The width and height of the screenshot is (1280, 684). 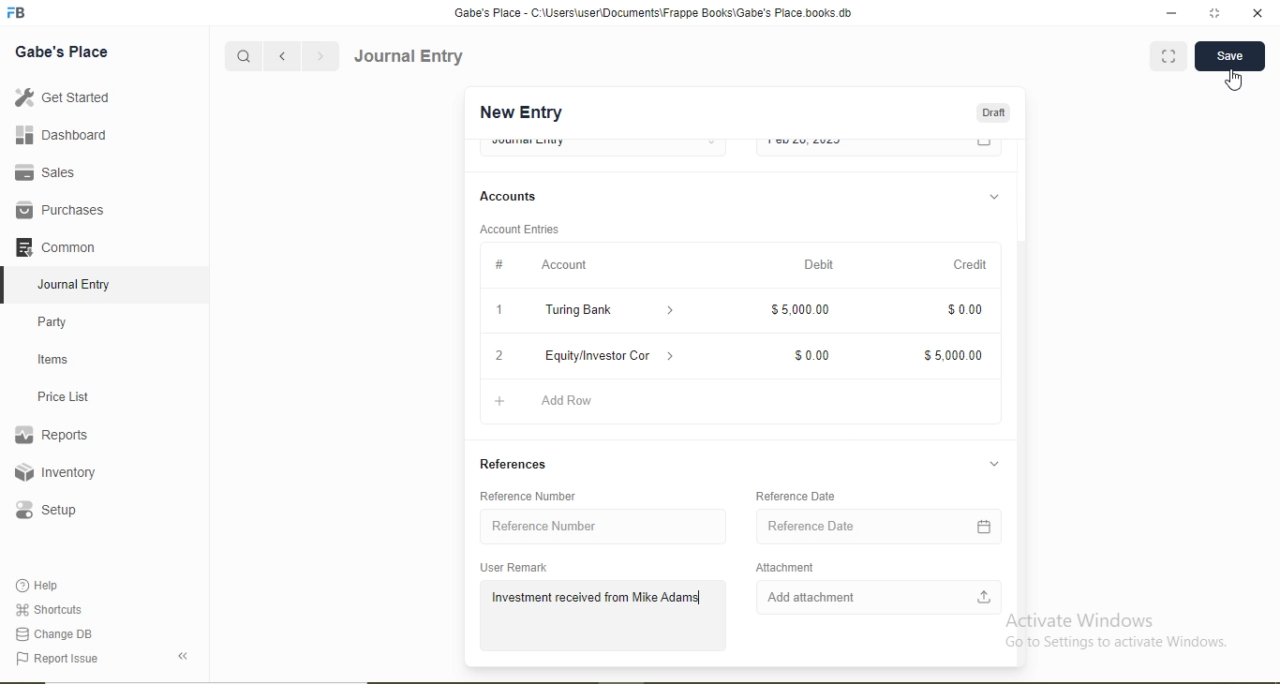 What do you see at coordinates (56, 659) in the screenshot?
I see `Report Issue` at bounding box center [56, 659].